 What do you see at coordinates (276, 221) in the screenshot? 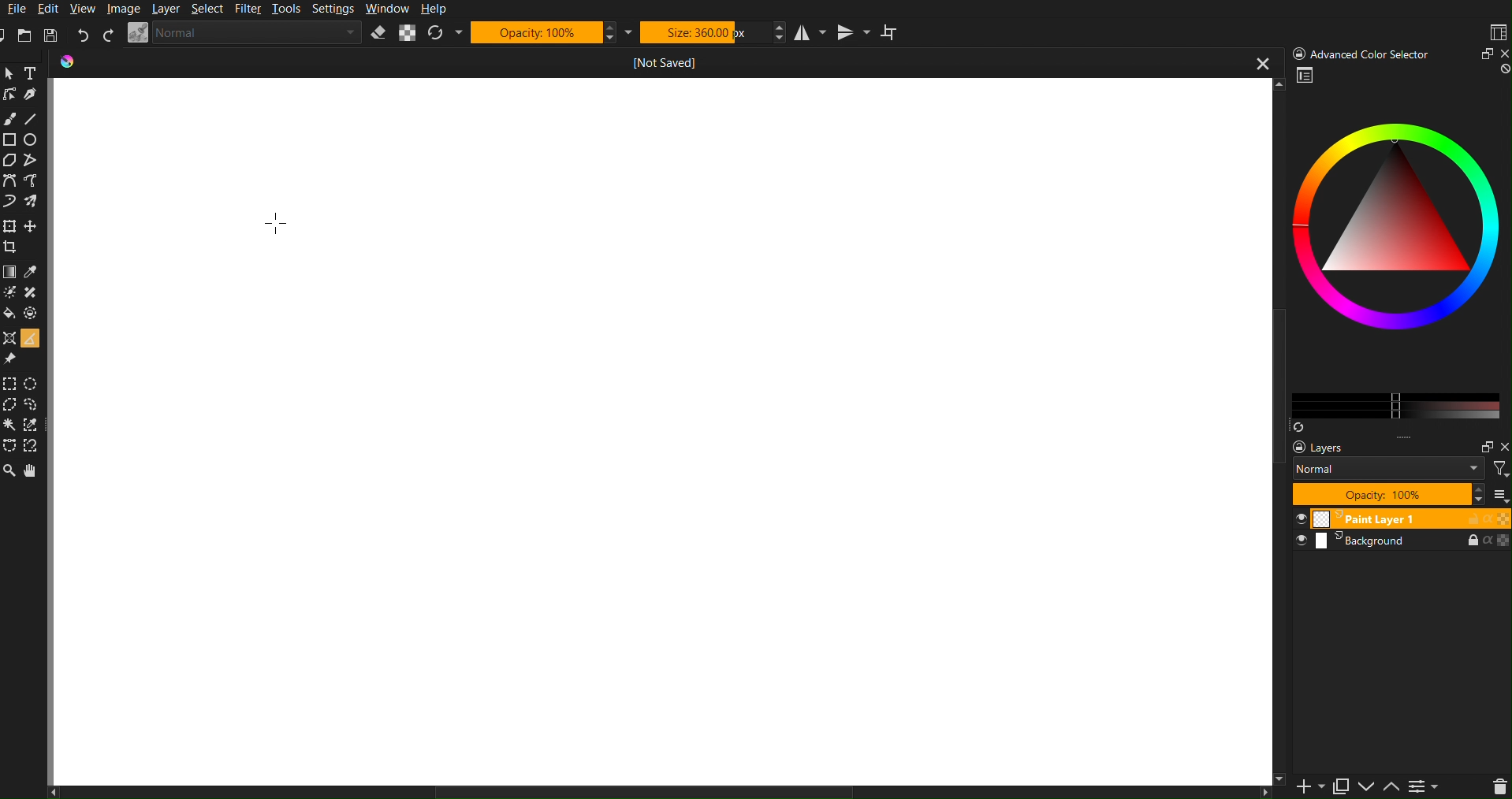
I see `Cursor` at bounding box center [276, 221].